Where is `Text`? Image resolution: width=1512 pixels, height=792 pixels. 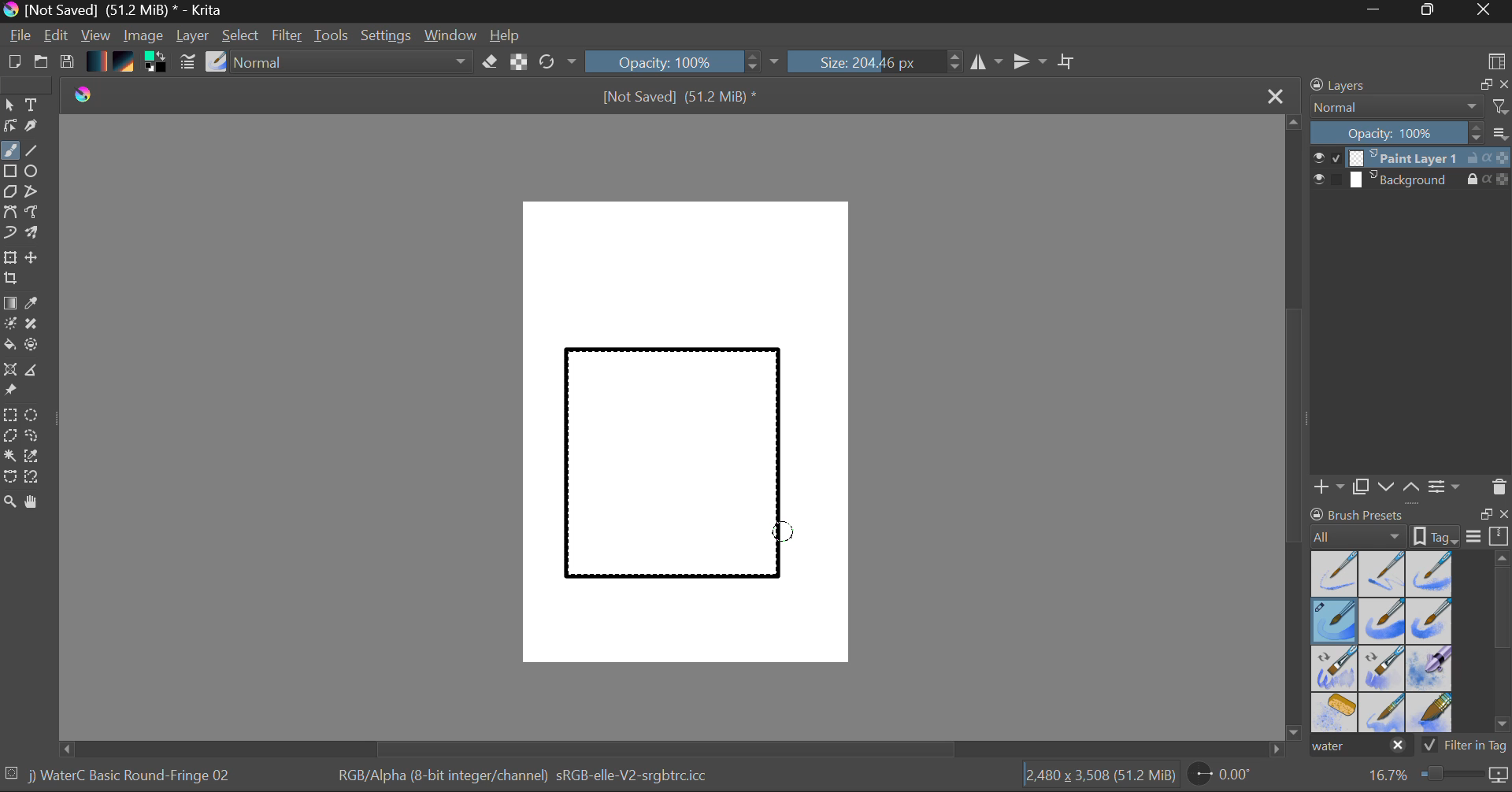
Text is located at coordinates (32, 103).